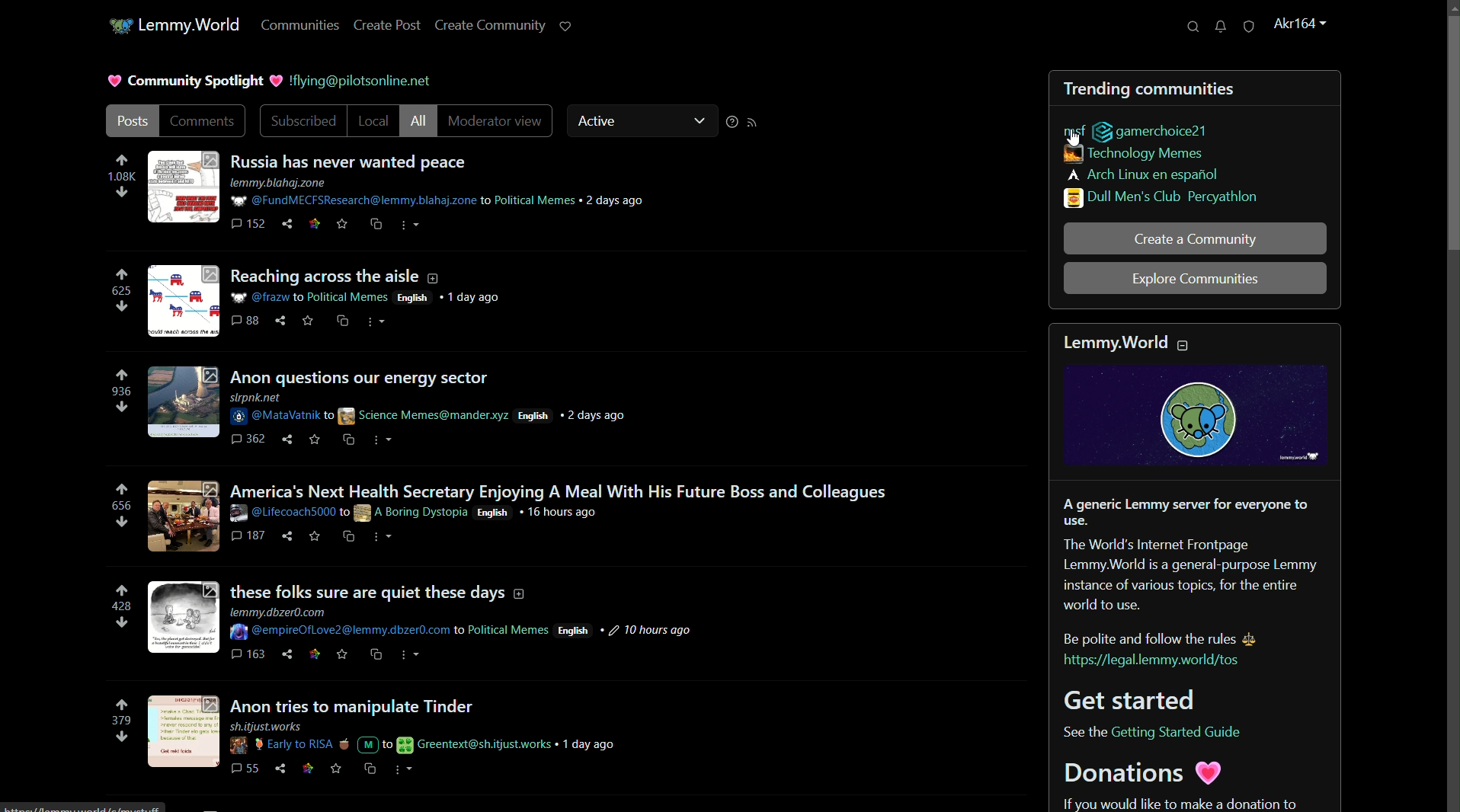  Describe the element at coordinates (301, 26) in the screenshot. I see `ommunities` at that location.